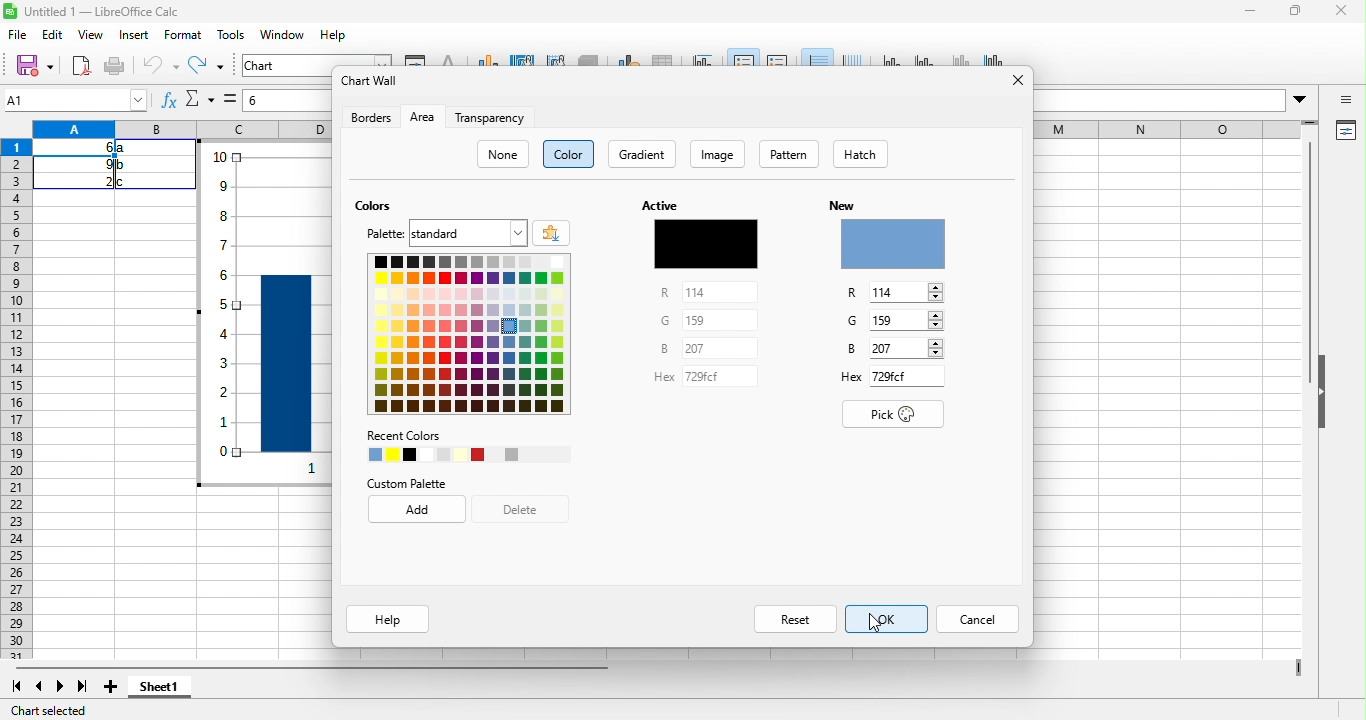 The image size is (1366, 720). I want to click on color, so click(572, 155).